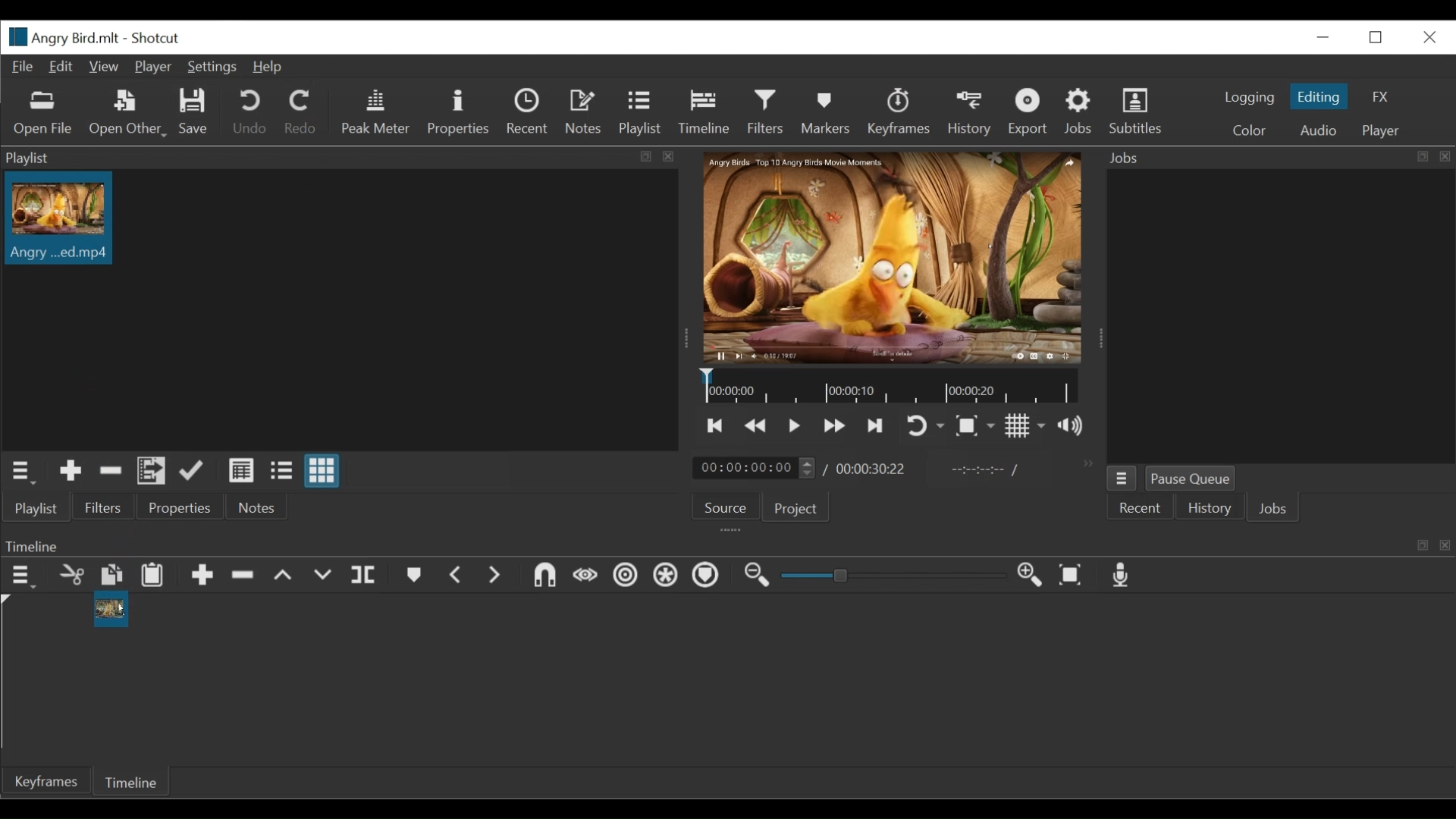 Image resolution: width=1456 pixels, height=819 pixels. Describe the element at coordinates (194, 112) in the screenshot. I see `Save` at that location.